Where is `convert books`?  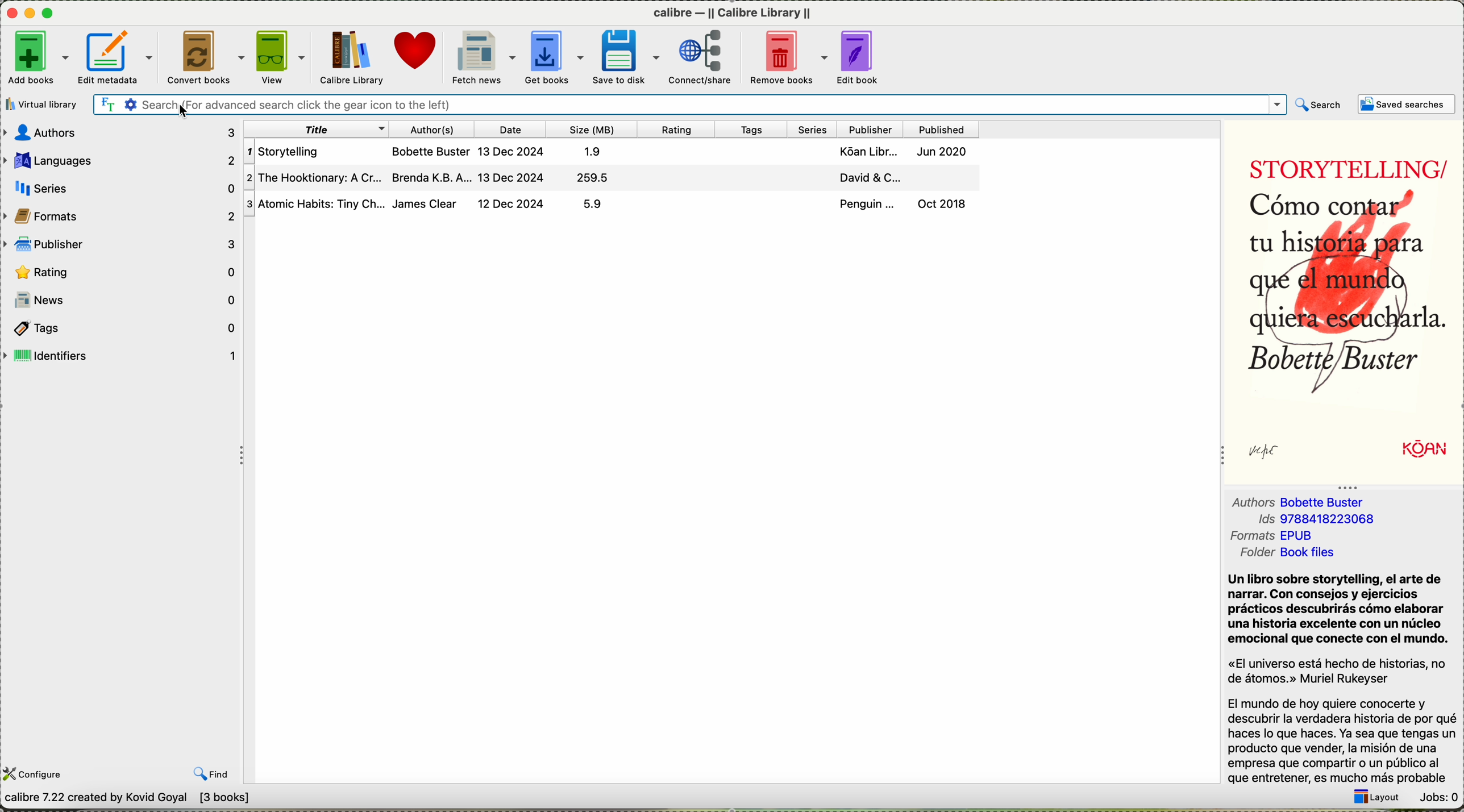 convert books is located at coordinates (205, 57).